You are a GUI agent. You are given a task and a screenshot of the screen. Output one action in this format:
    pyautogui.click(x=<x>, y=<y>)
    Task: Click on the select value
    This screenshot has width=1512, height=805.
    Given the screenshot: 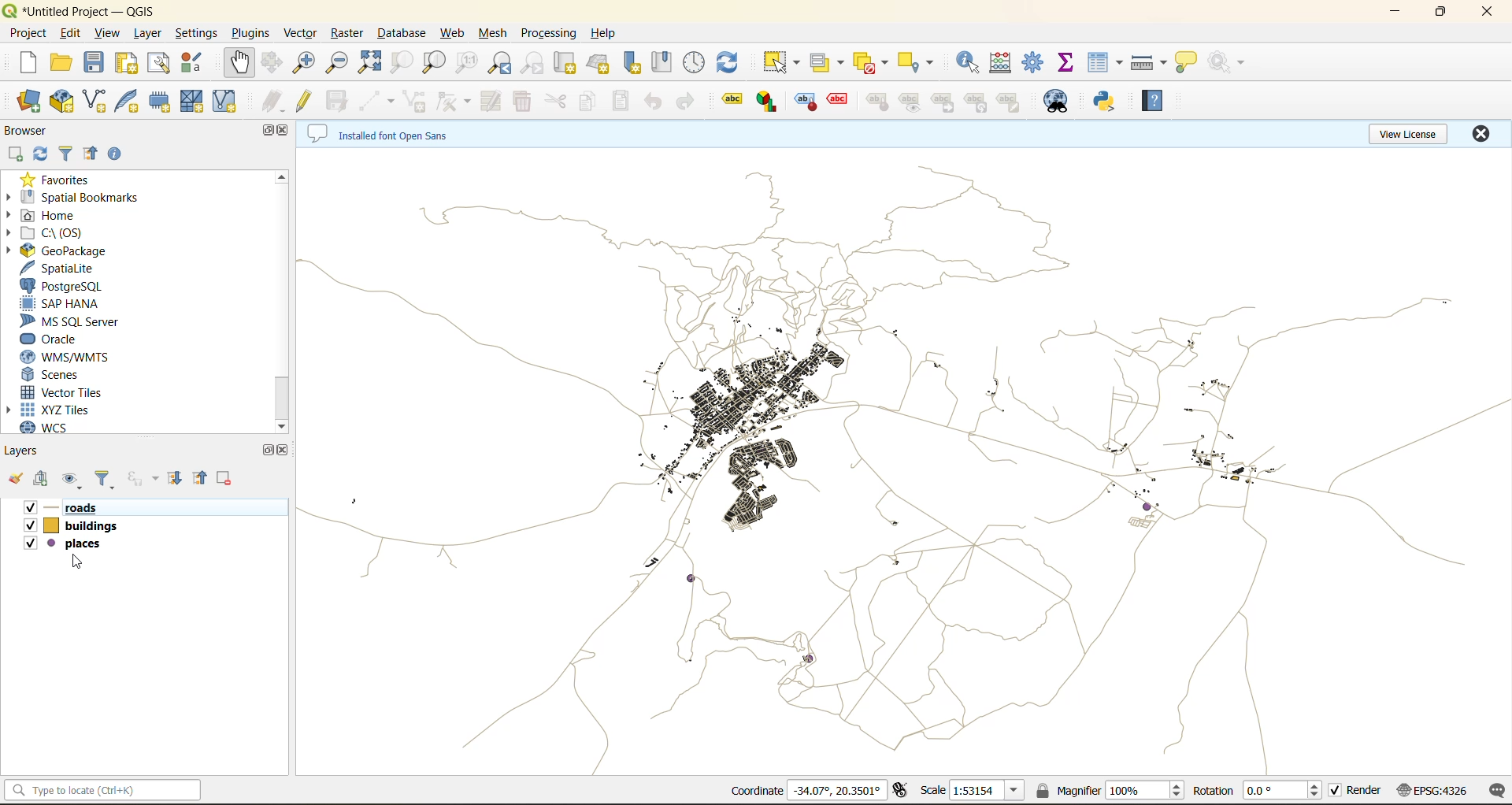 What is the action you would take?
    pyautogui.click(x=830, y=61)
    